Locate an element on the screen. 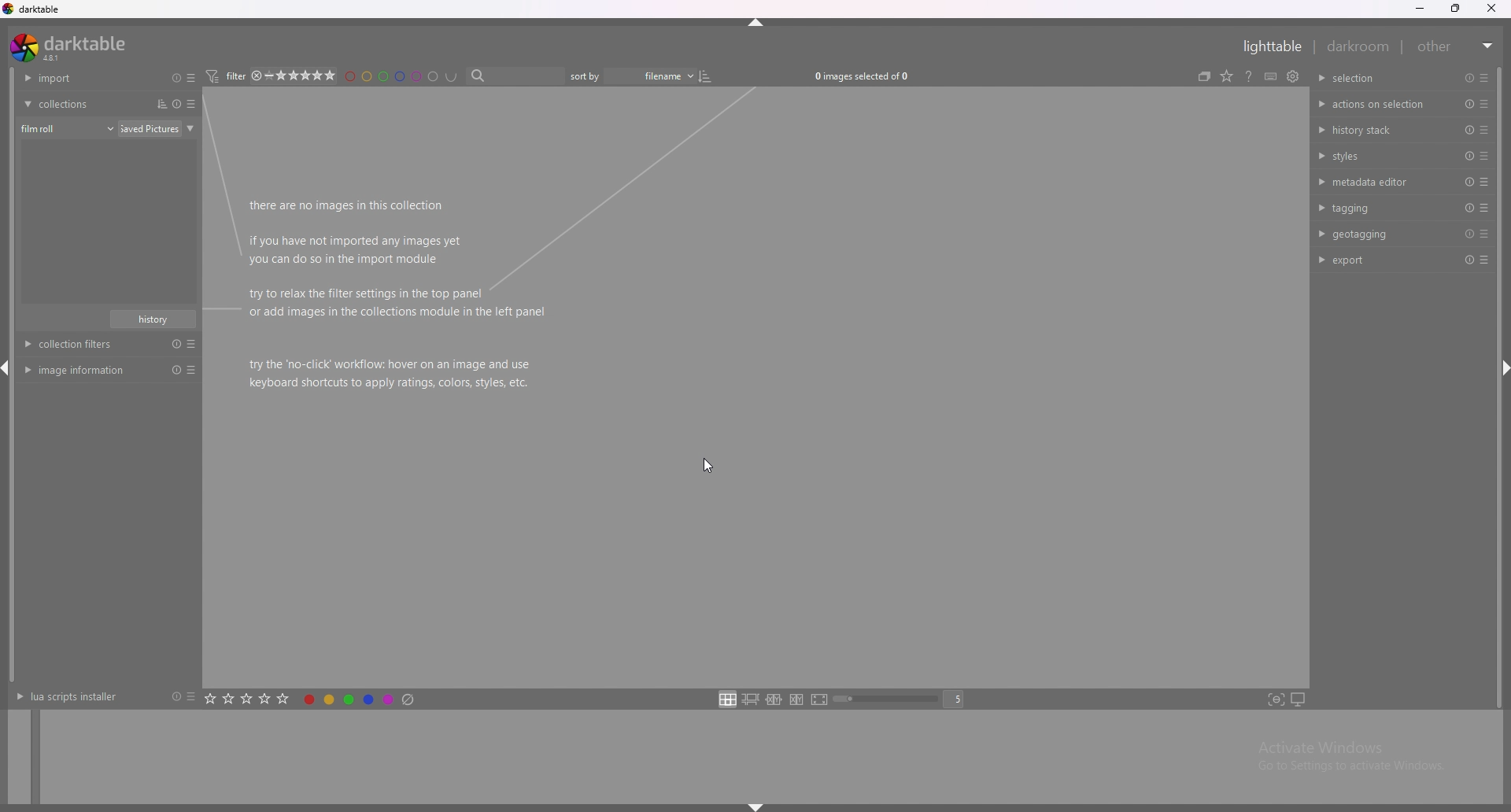 This screenshot has height=812, width=1511. filter is located at coordinates (232, 76).